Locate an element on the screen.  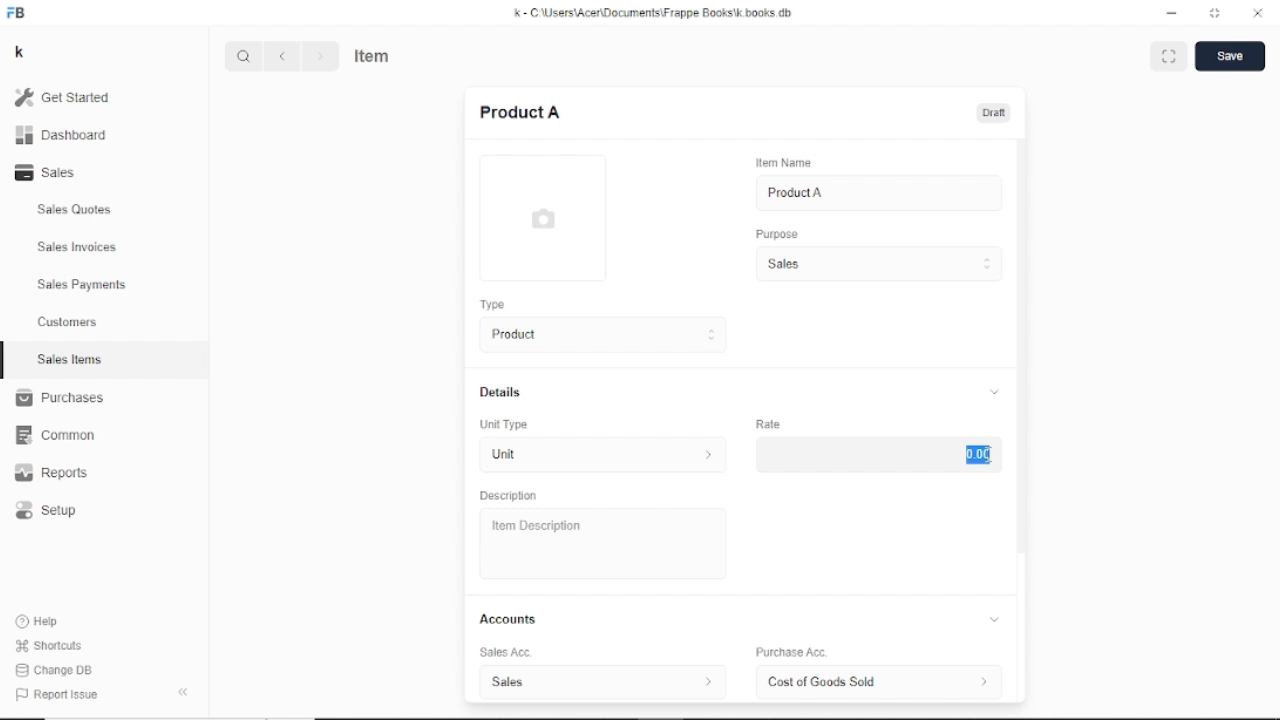
Accounts is located at coordinates (743, 619).